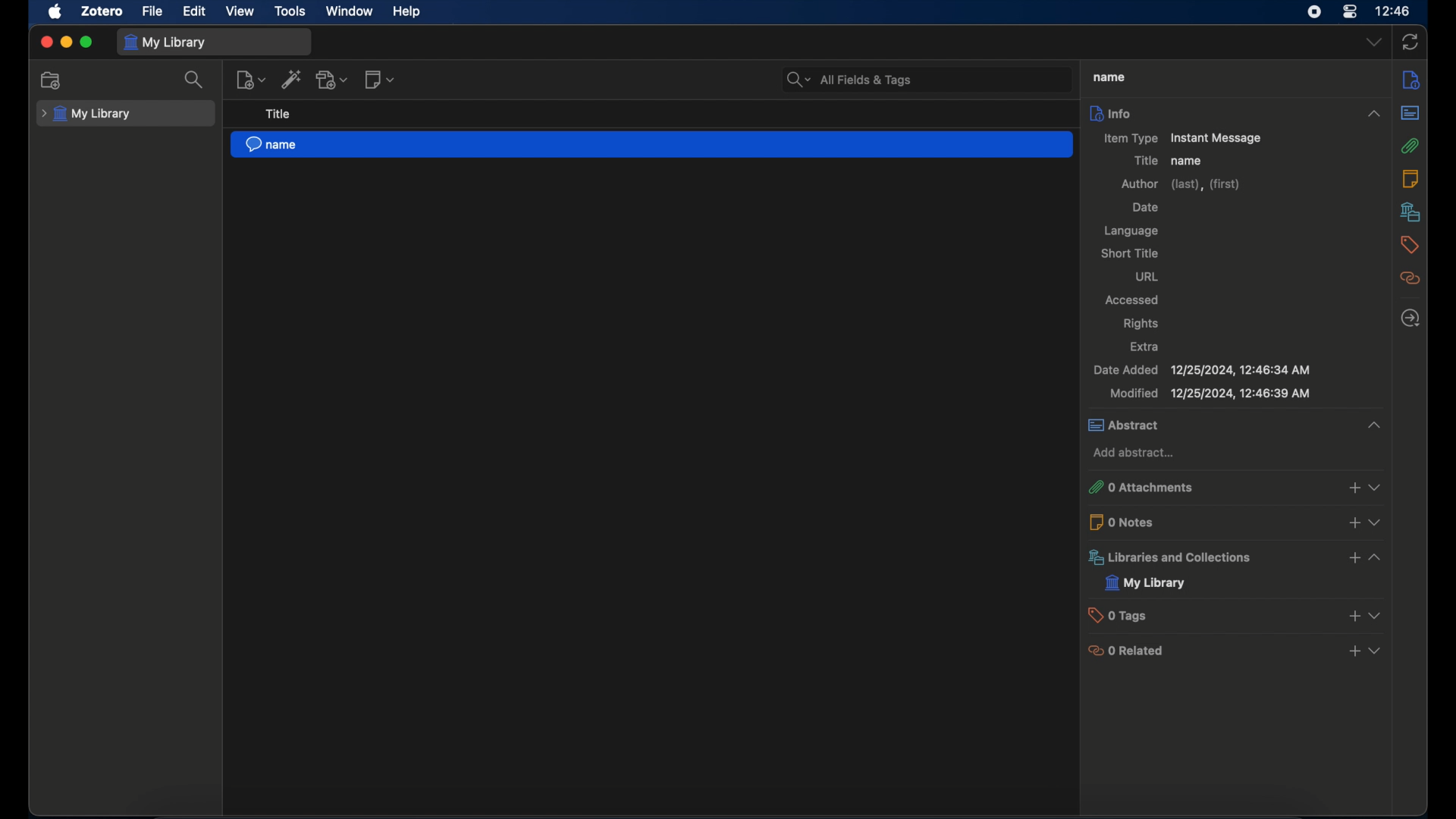 Image resolution: width=1456 pixels, height=819 pixels. I want to click on abstract, so click(1234, 425).